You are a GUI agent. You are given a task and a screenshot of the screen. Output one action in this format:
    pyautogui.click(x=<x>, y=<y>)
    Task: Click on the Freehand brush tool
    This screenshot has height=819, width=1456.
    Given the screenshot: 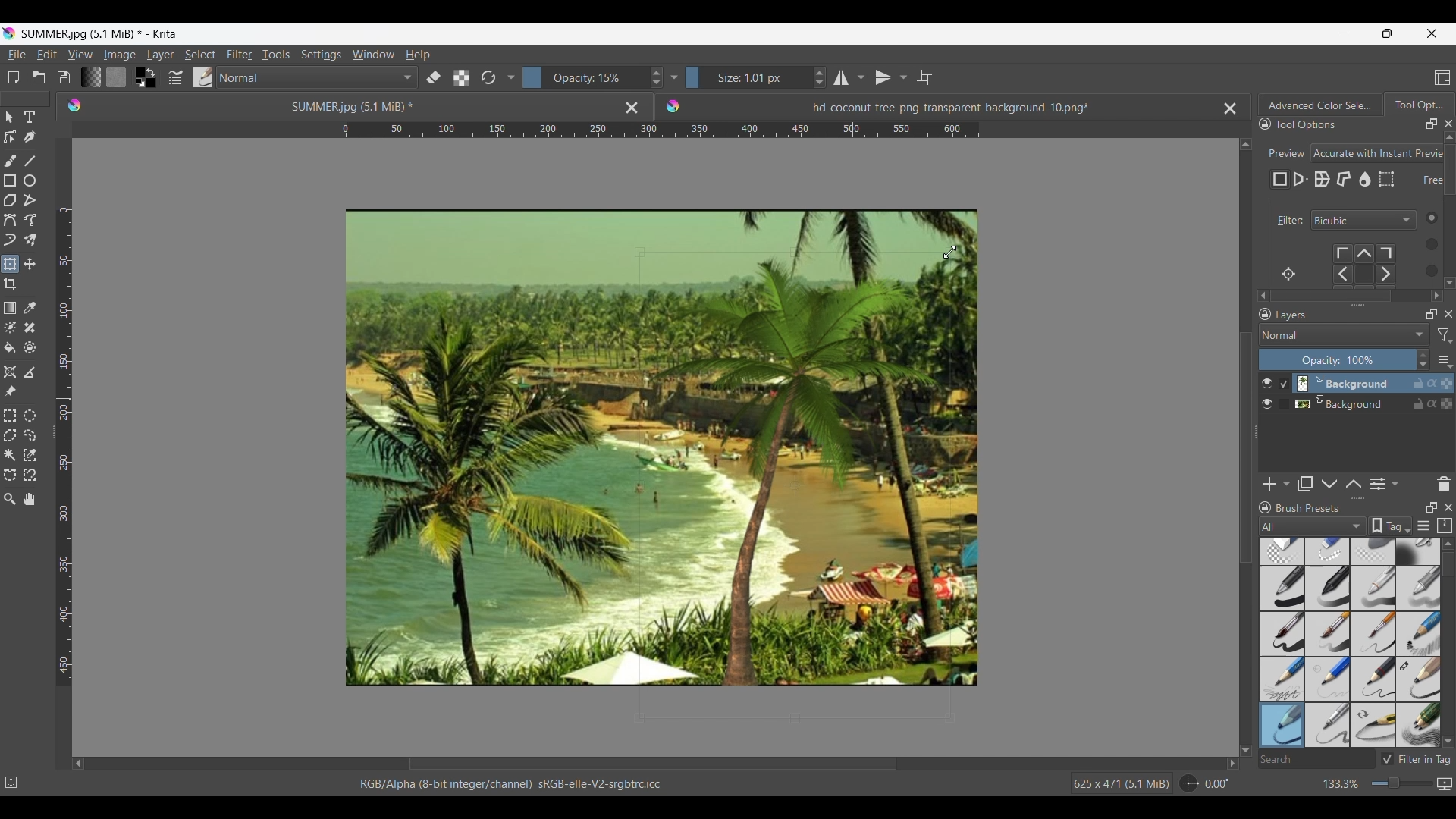 What is the action you would take?
    pyautogui.click(x=10, y=160)
    